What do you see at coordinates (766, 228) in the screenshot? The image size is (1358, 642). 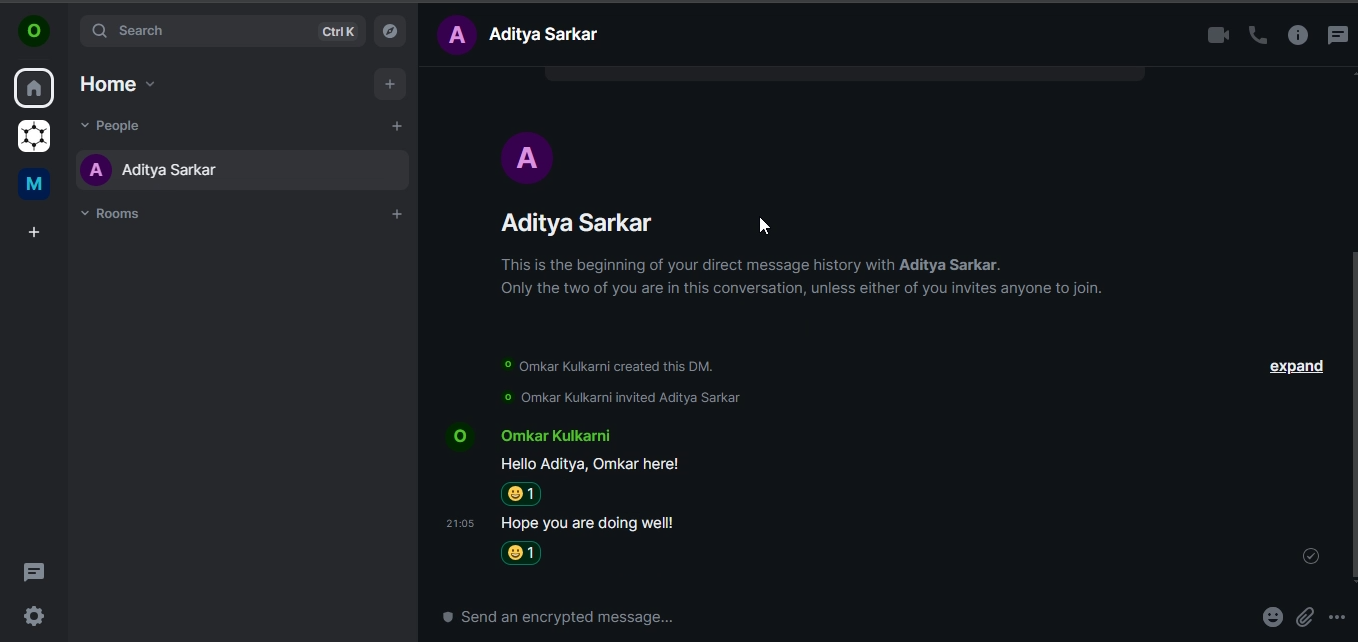 I see `Cursor` at bounding box center [766, 228].